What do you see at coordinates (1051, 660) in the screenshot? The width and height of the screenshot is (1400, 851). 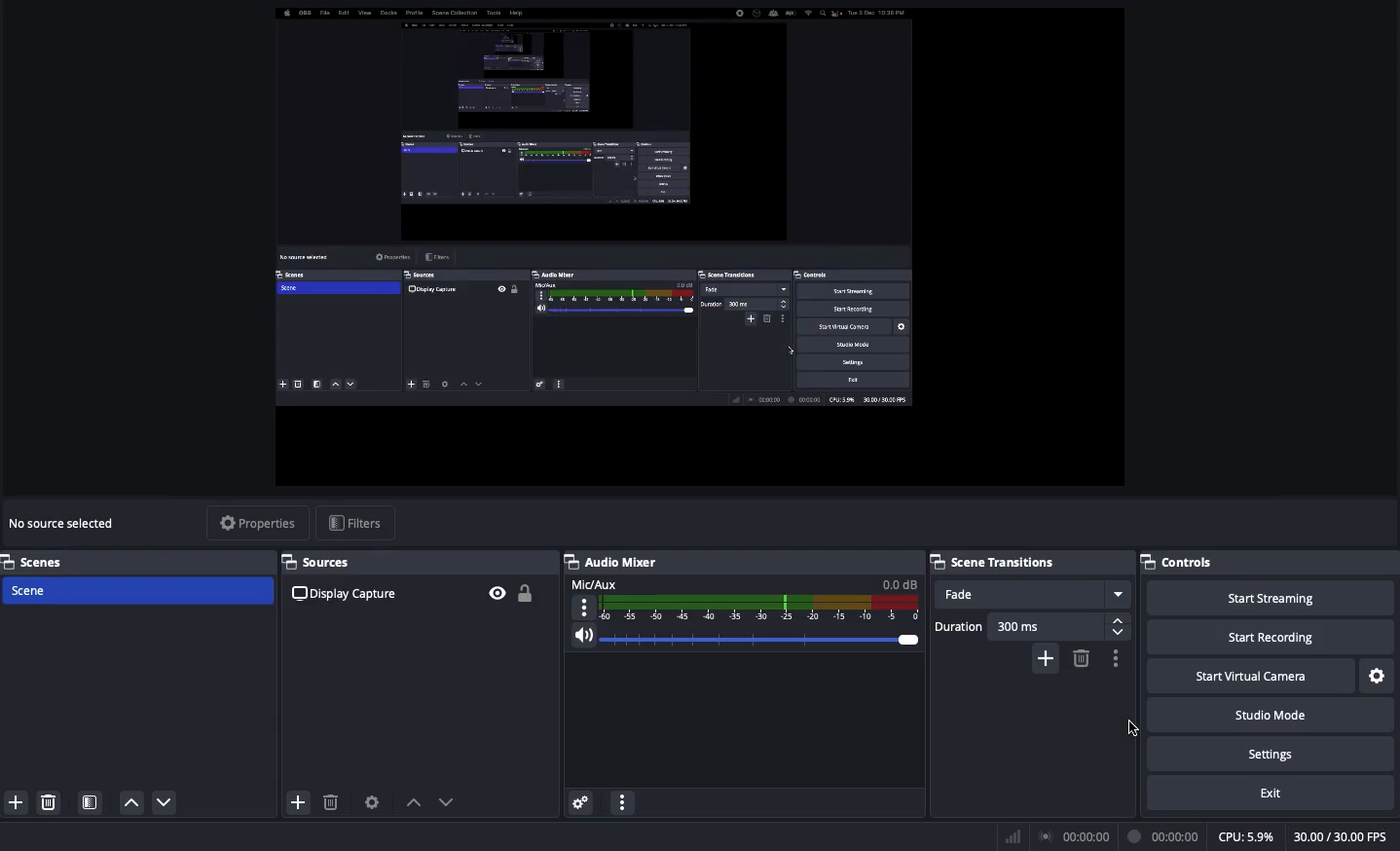 I see `Add` at bounding box center [1051, 660].